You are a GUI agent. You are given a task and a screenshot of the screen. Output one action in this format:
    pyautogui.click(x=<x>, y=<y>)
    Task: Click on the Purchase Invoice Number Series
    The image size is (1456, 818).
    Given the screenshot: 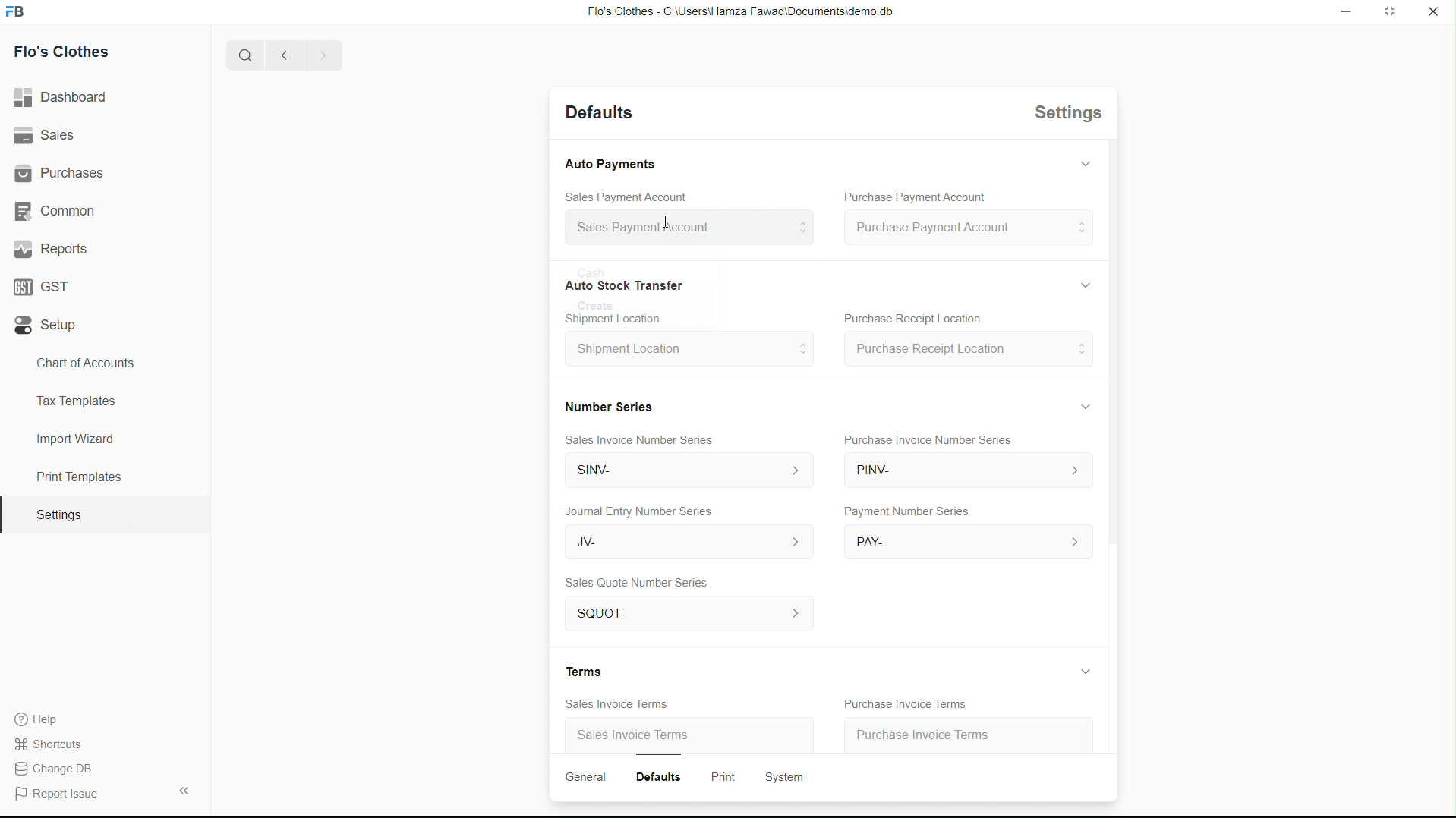 What is the action you would take?
    pyautogui.click(x=926, y=439)
    